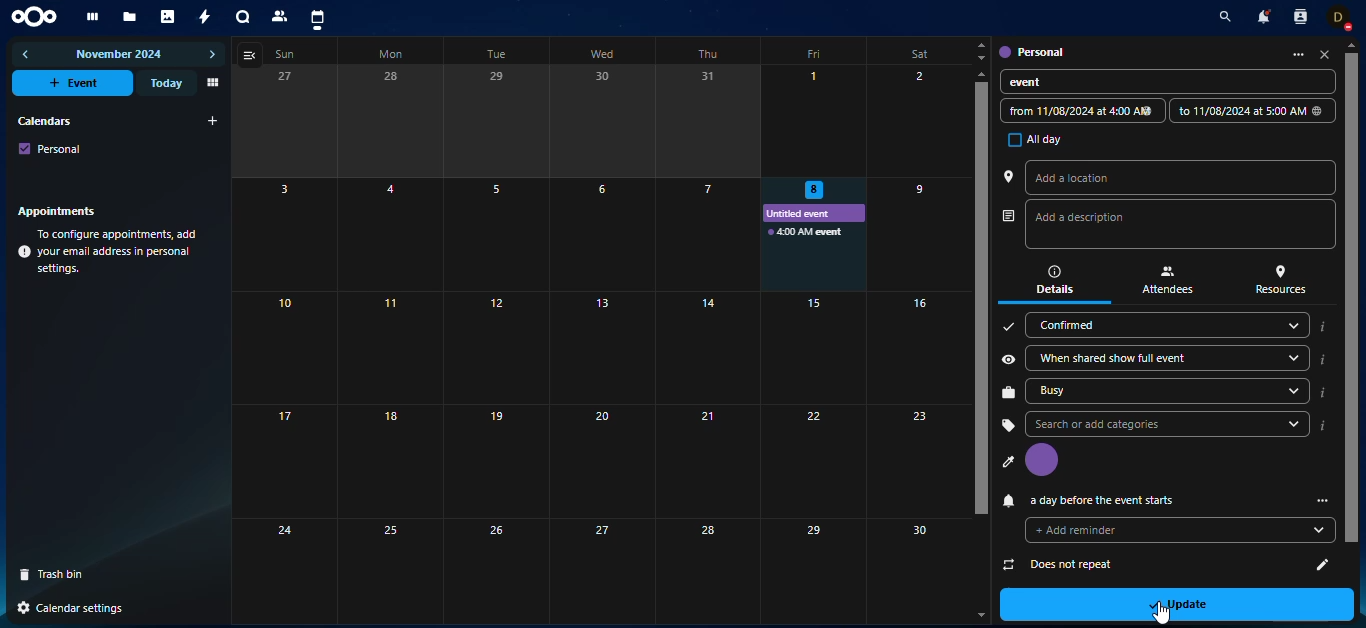 This screenshot has height=628, width=1366. What do you see at coordinates (817, 55) in the screenshot?
I see `fri` at bounding box center [817, 55].